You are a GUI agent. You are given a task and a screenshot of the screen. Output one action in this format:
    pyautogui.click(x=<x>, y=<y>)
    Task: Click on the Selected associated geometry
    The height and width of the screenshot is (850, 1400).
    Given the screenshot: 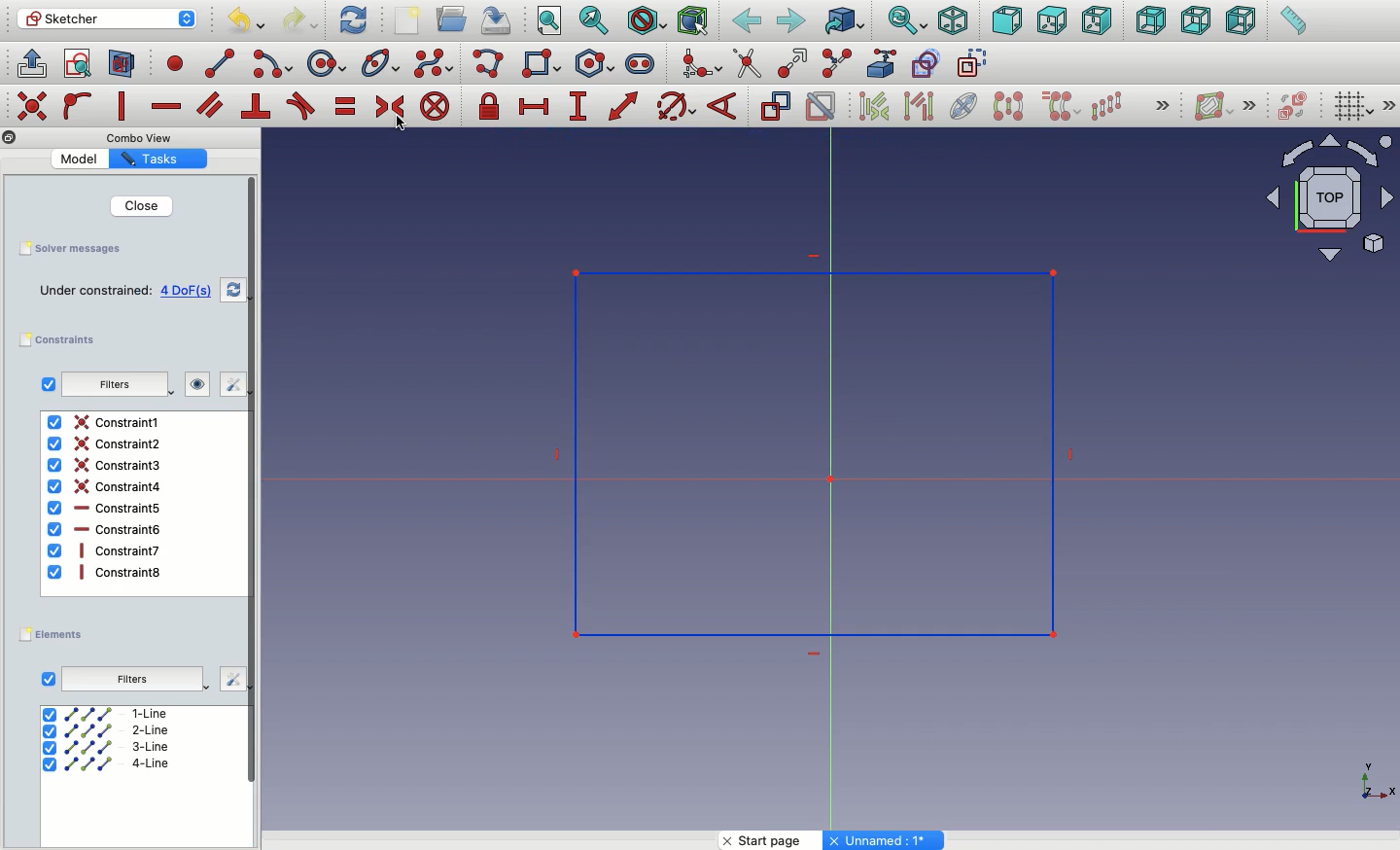 What is the action you would take?
    pyautogui.click(x=917, y=105)
    